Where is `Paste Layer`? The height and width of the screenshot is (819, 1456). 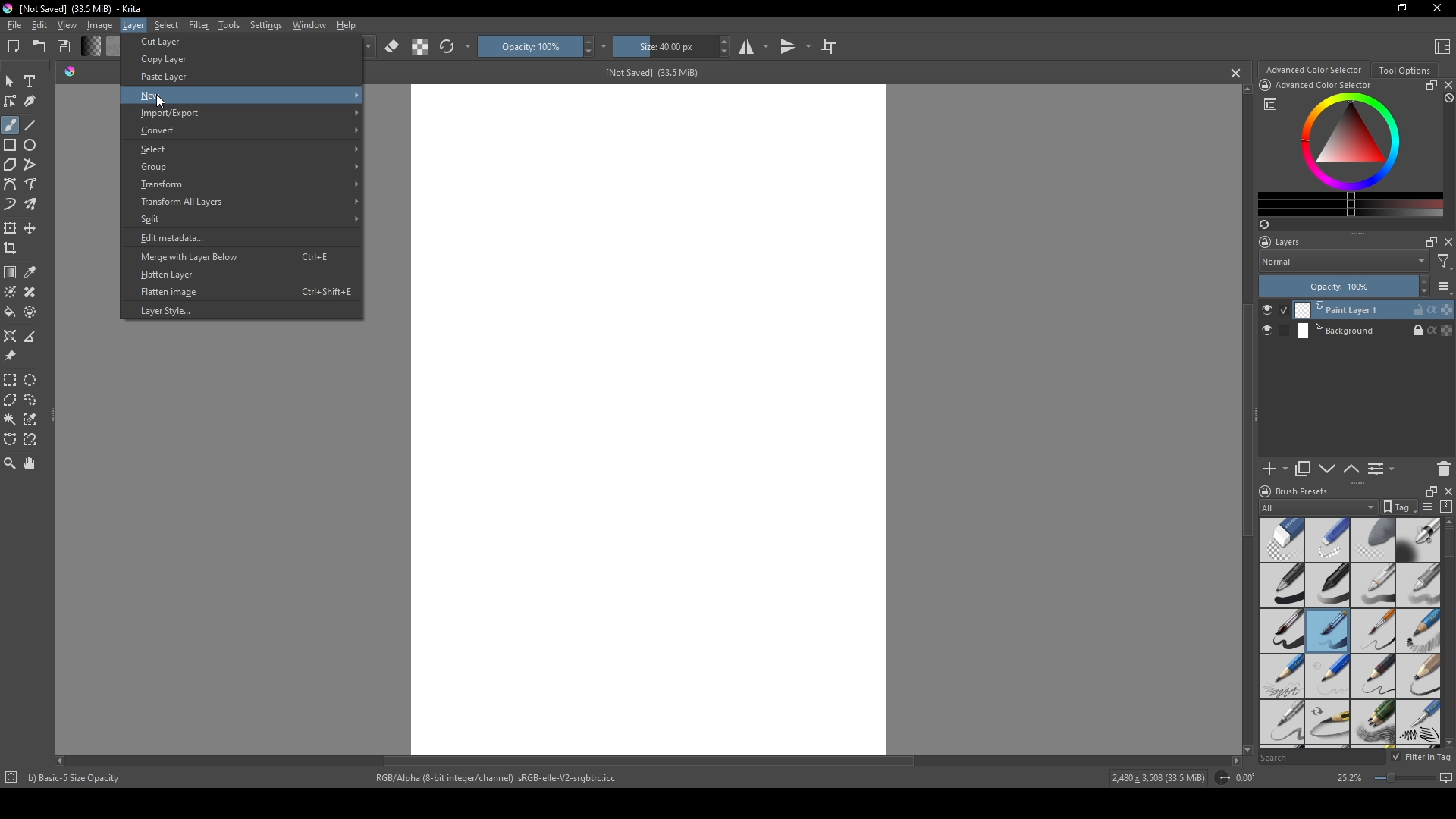 Paste Layer is located at coordinates (171, 77).